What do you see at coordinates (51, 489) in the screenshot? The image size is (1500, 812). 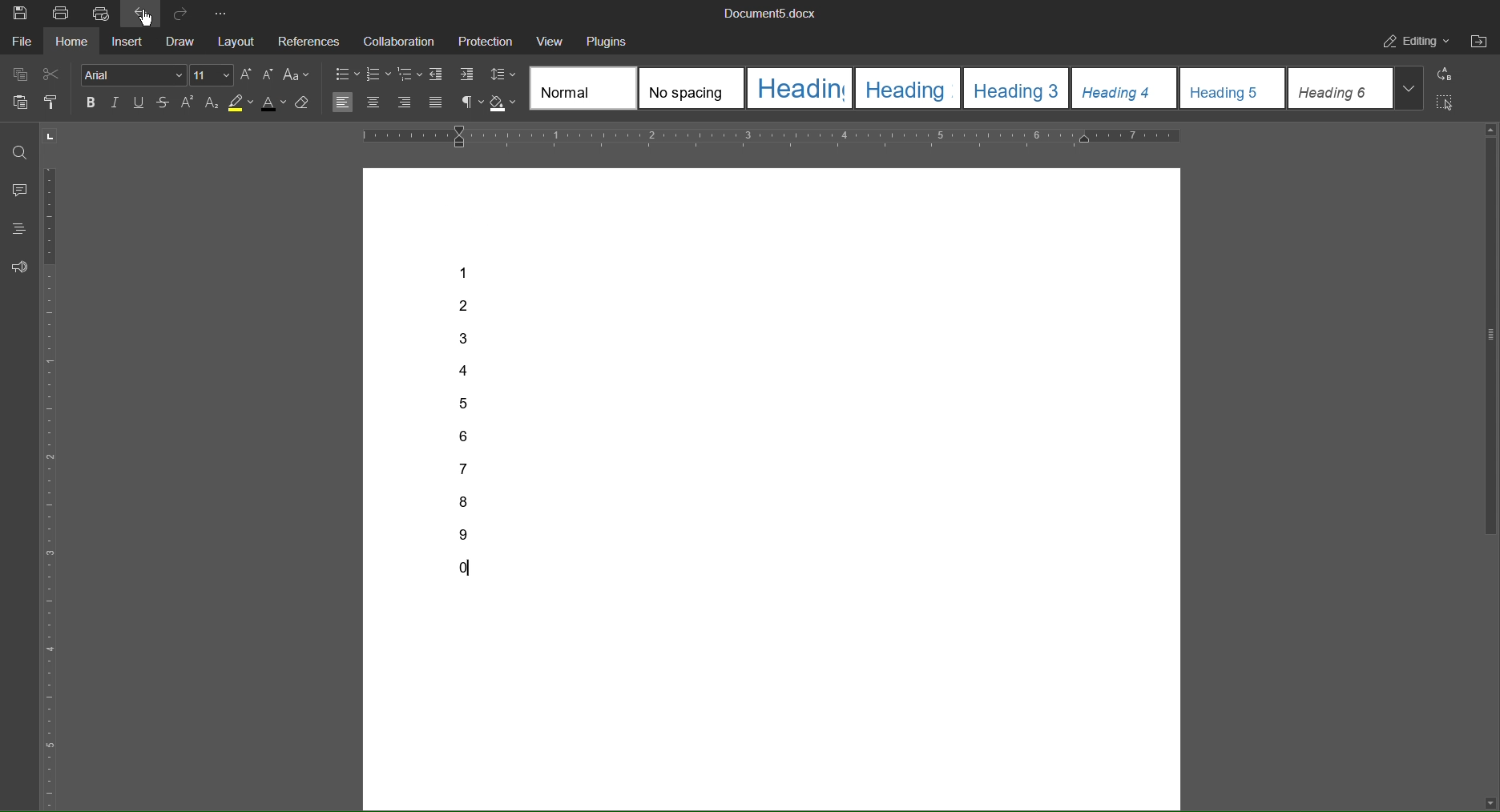 I see `Vertical Ruler` at bounding box center [51, 489].